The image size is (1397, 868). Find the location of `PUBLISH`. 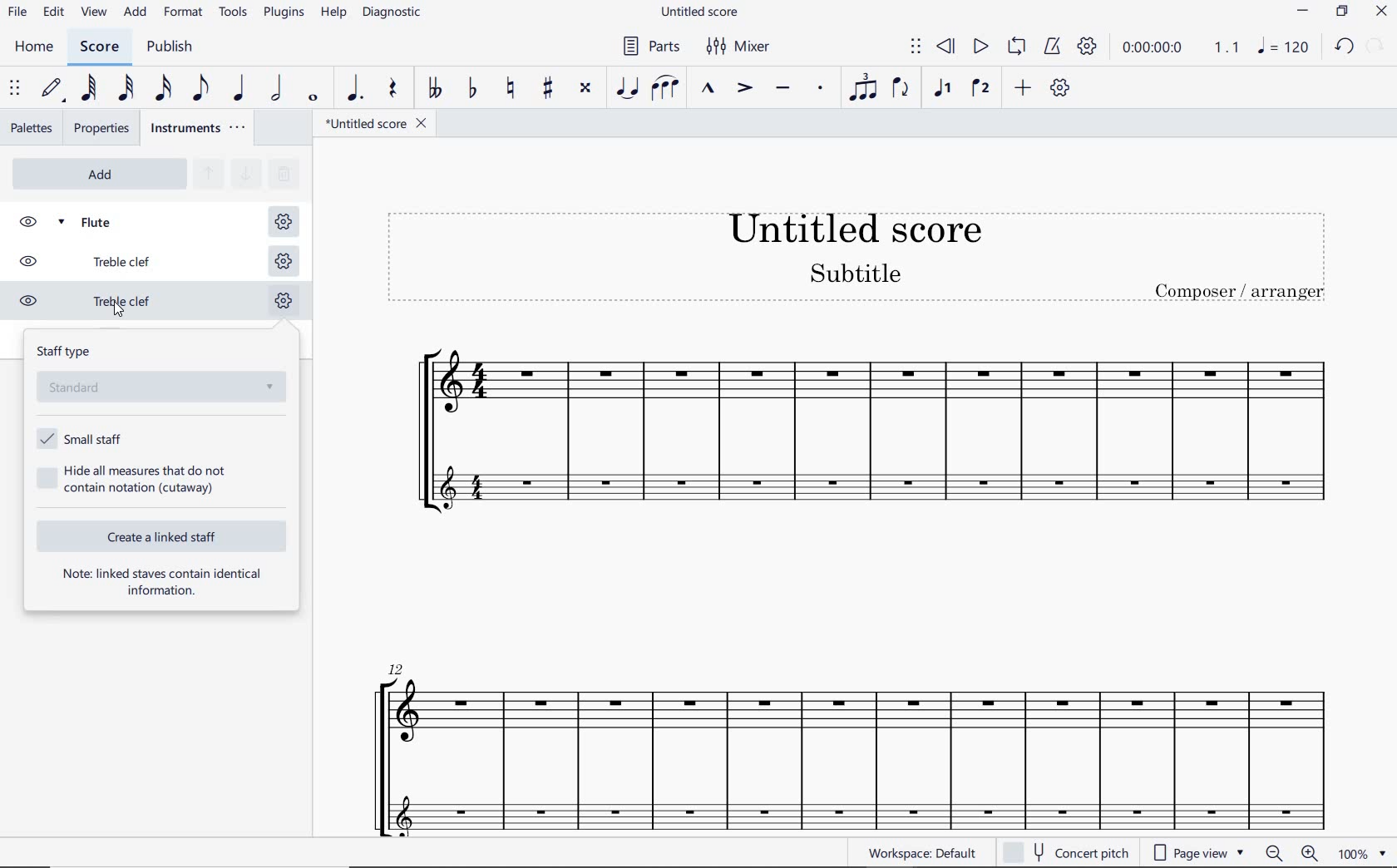

PUBLISH is located at coordinates (175, 49).